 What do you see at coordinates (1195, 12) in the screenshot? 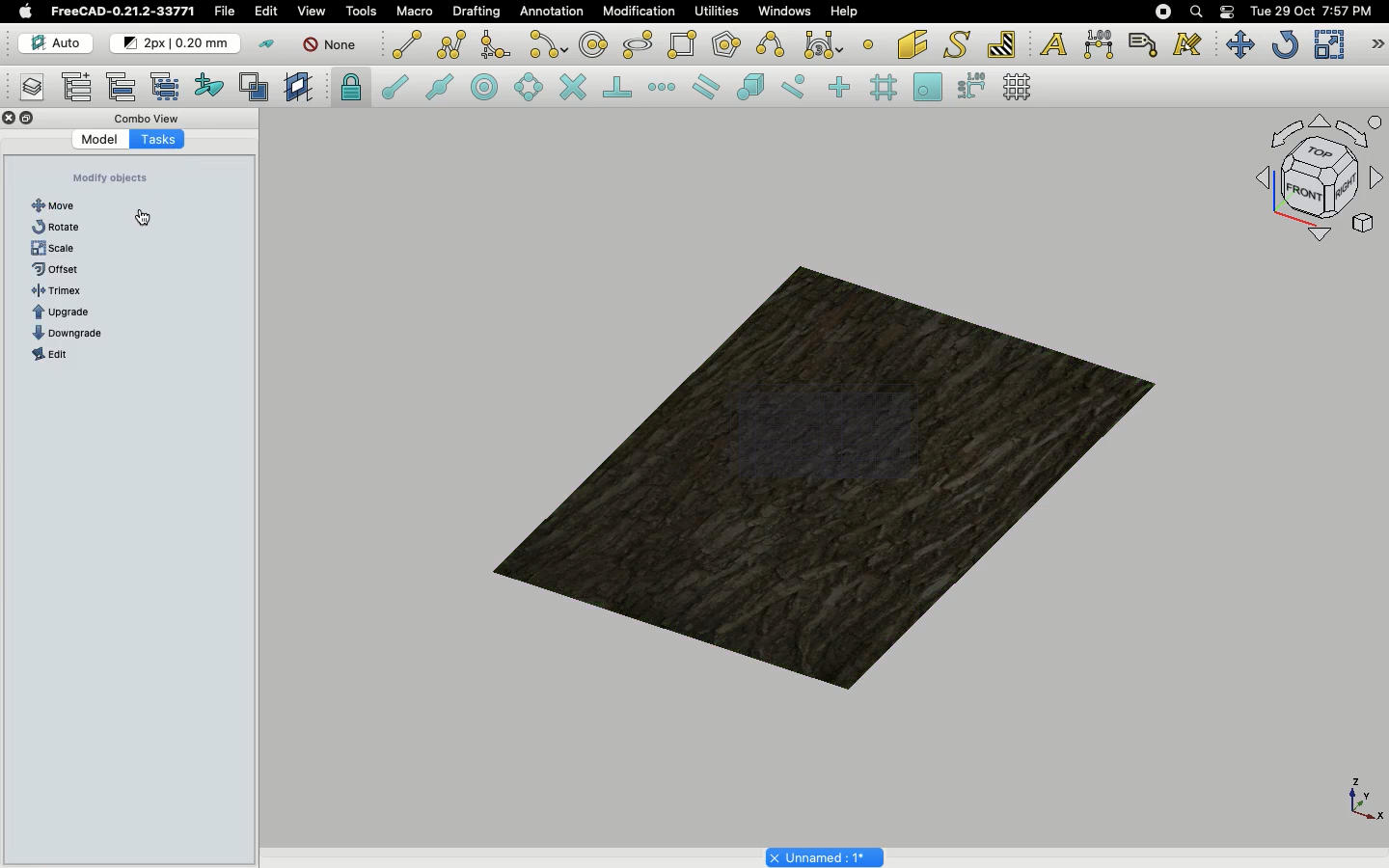
I see `Search` at bounding box center [1195, 12].